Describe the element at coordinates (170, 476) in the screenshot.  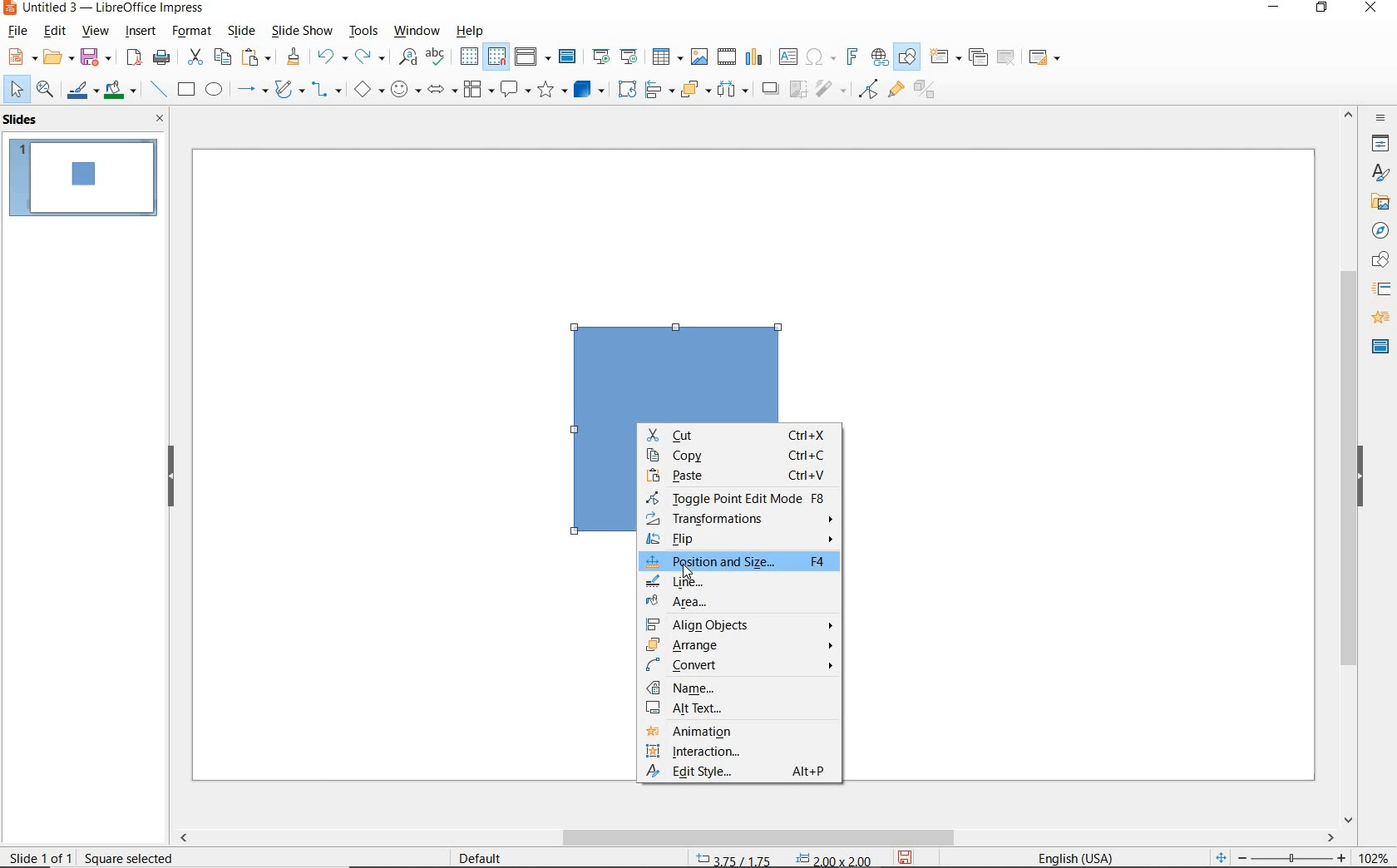
I see `hide` at that location.